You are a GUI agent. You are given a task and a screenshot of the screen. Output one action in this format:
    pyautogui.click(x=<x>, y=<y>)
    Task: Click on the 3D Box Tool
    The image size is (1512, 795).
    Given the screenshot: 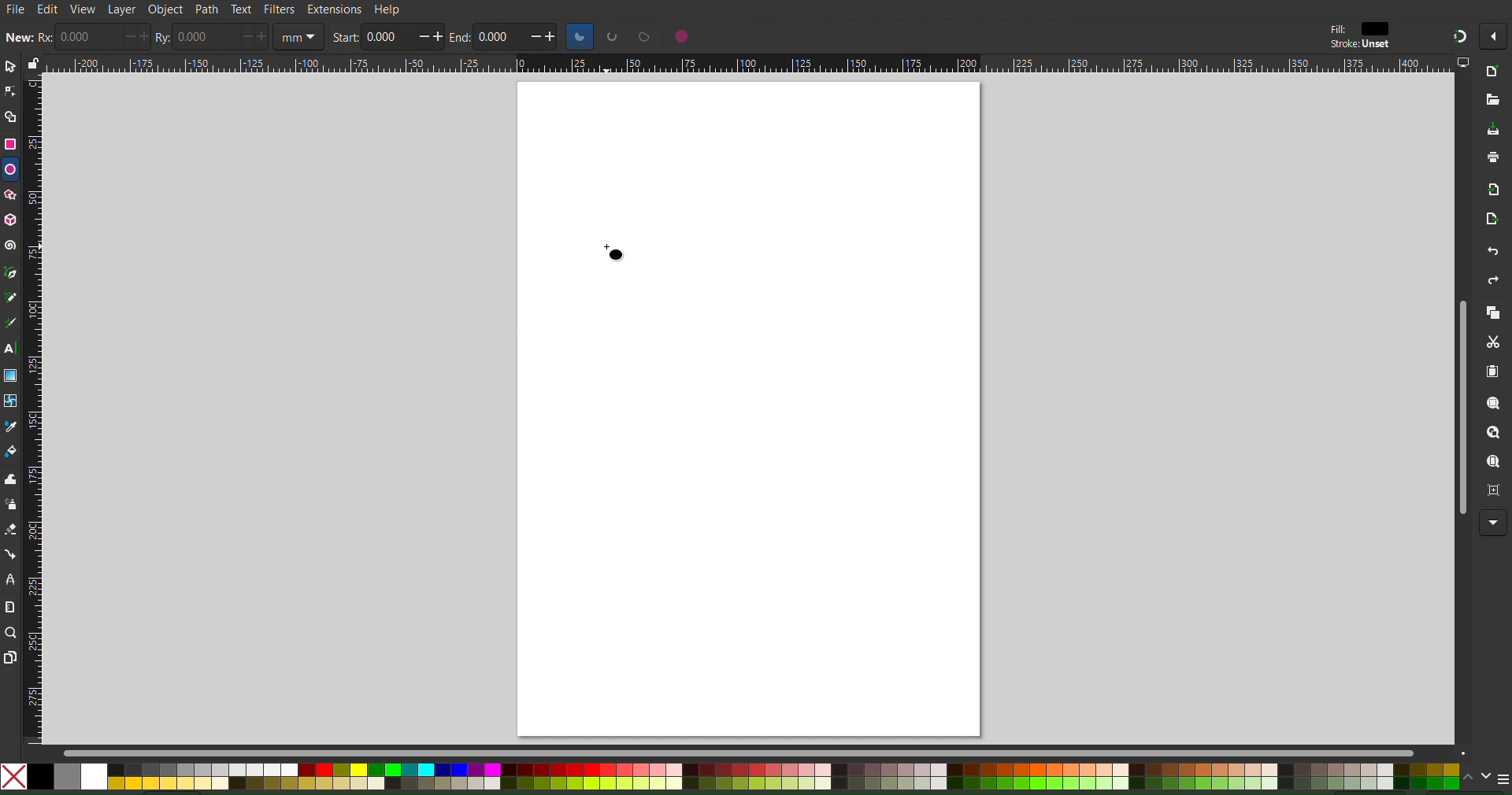 What is the action you would take?
    pyautogui.click(x=10, y=219)
    